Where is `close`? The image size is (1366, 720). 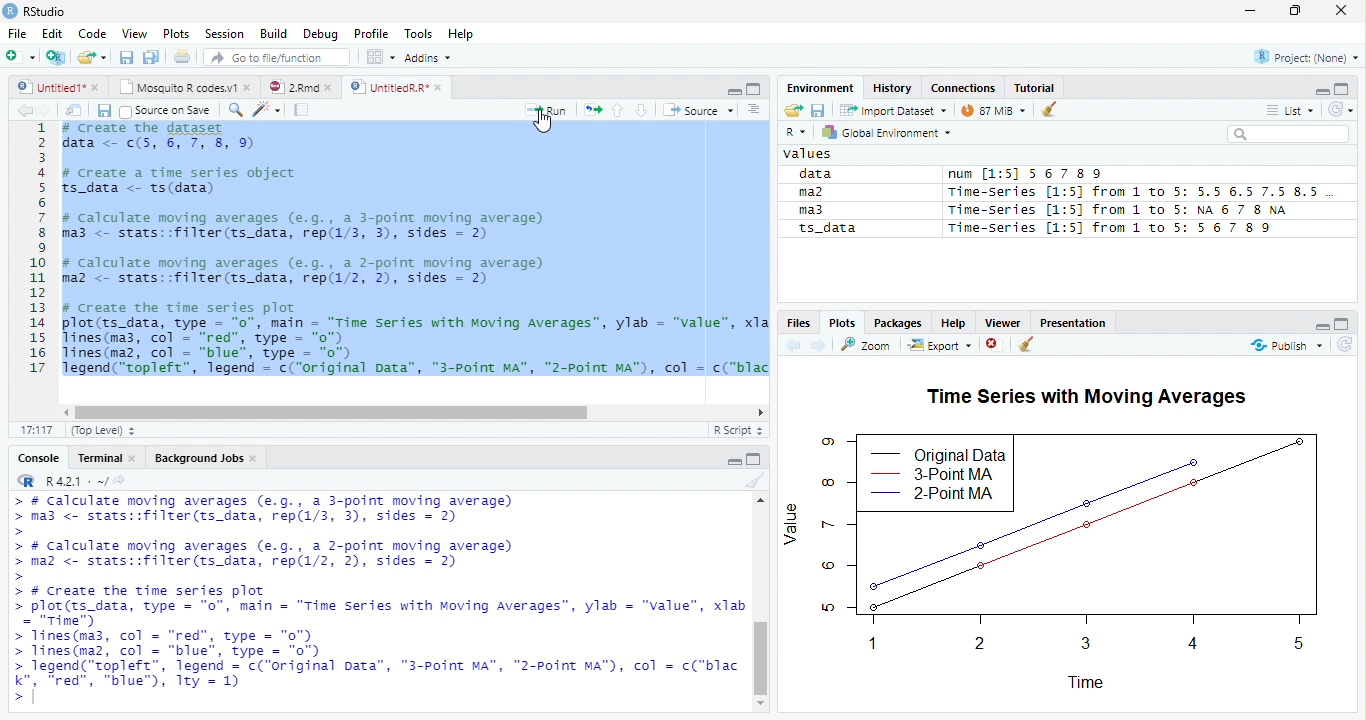 close is located at coordinates (441, 88).